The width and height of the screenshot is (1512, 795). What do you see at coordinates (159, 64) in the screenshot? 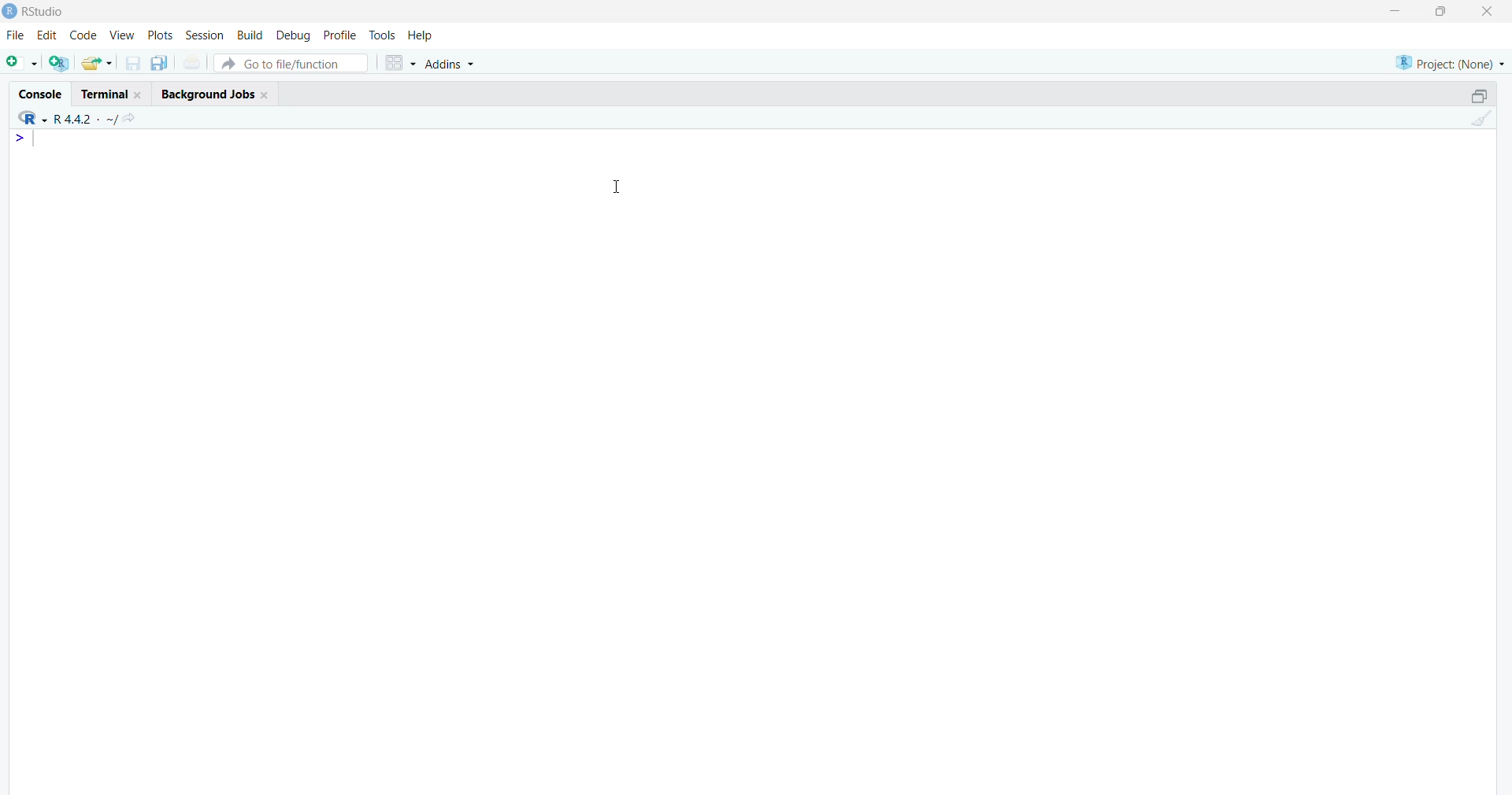
I see `save all open documents` at bounding box center [159, 64].